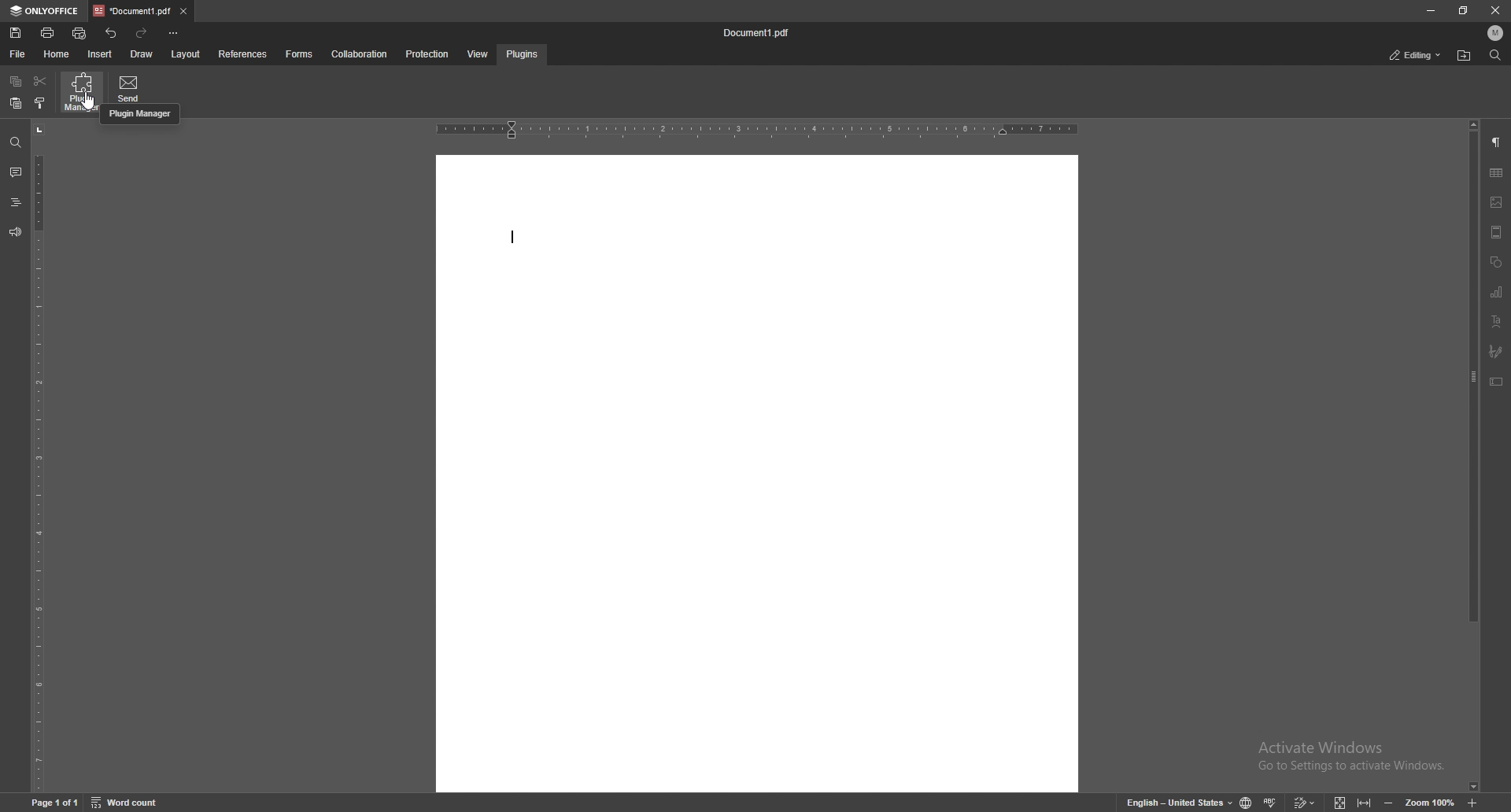  What do you see at coordinates (1387, 799) in the screenshot?
I see `zoom out` at bounding box center [1387, 799].